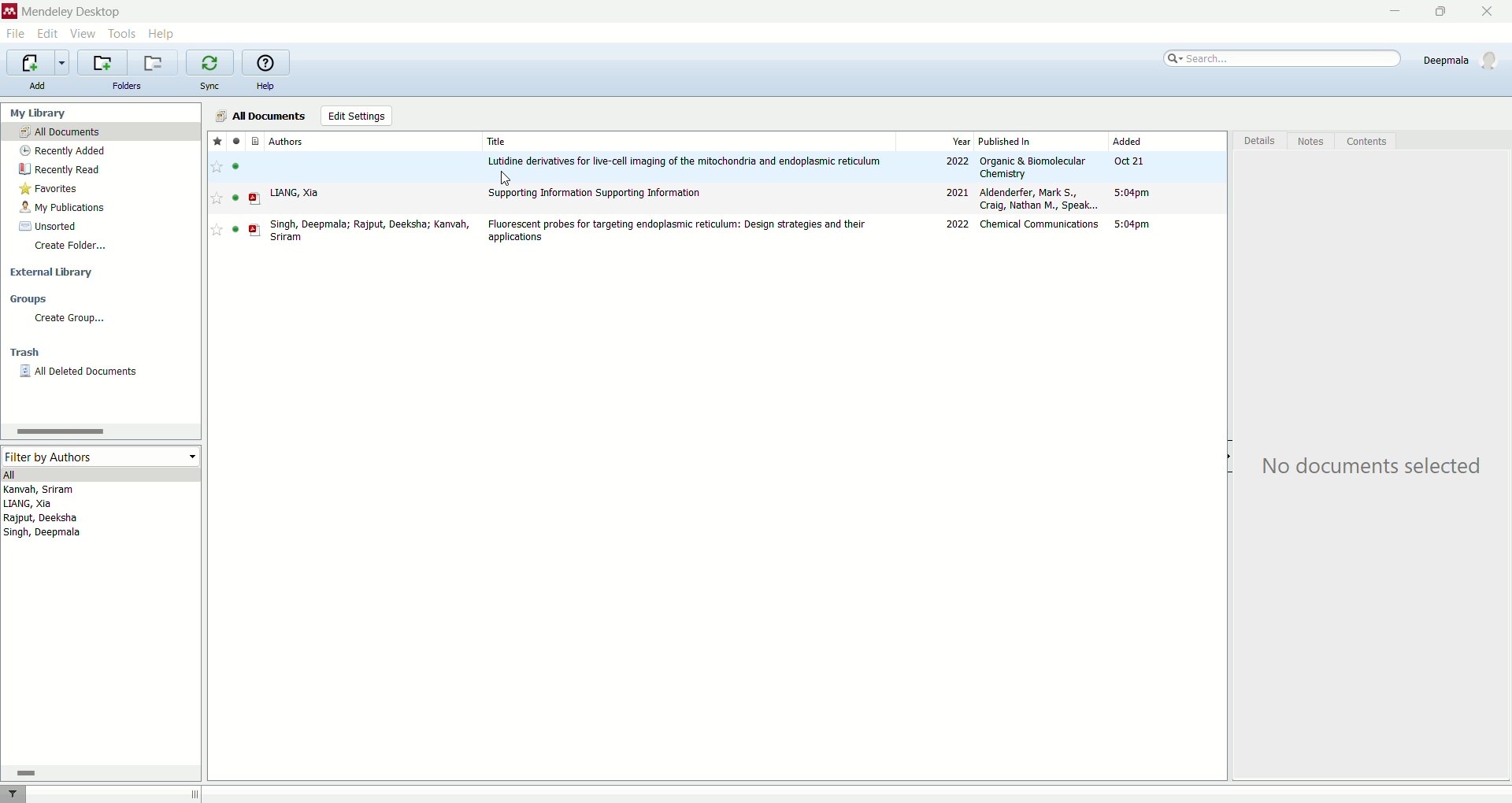 The height and width of the screenshot is (803, 1512). Describe the element at coordinates (1142, 142) in the screenshot. I see `added` at that location.